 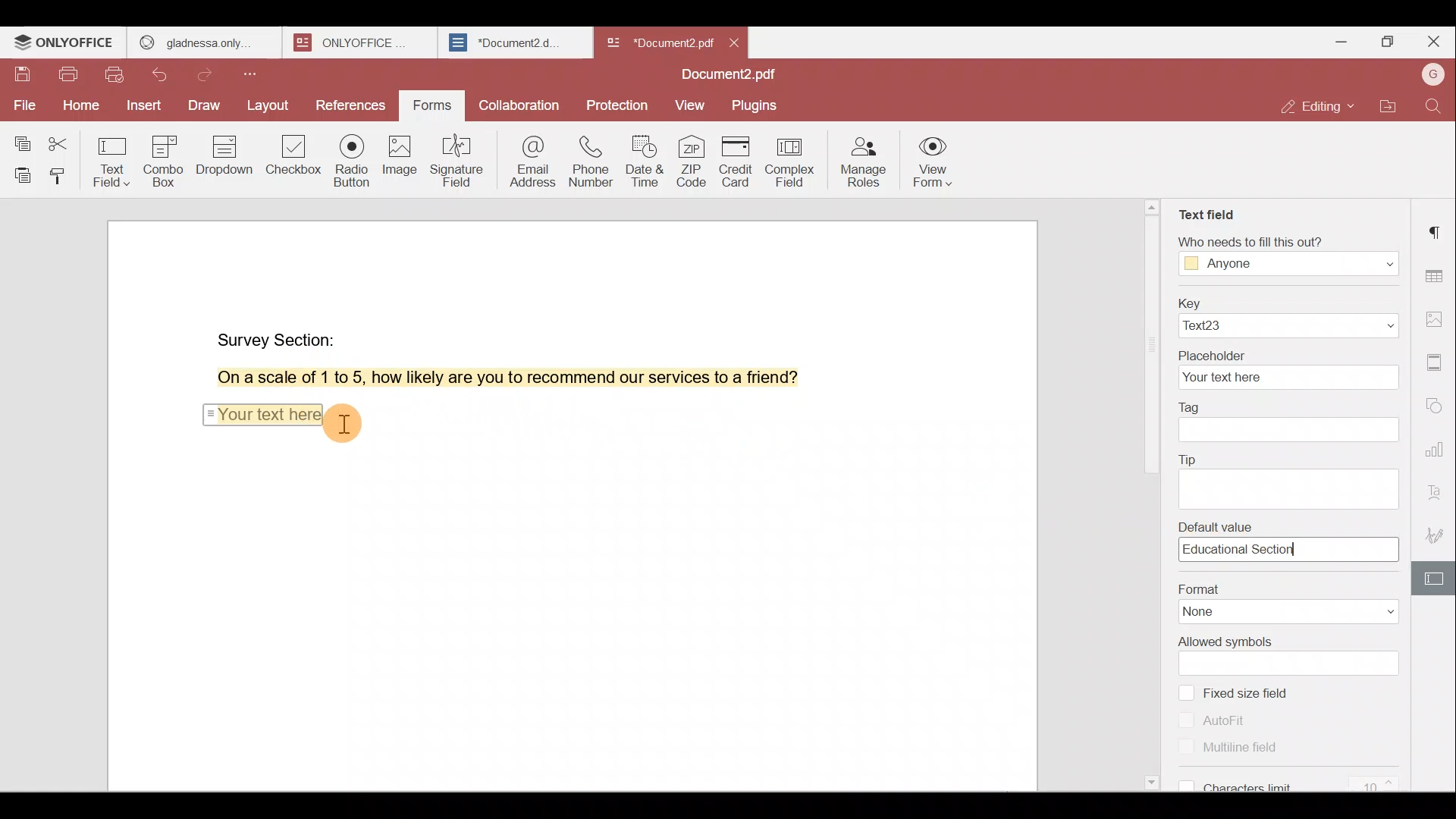 I want to click on Find, so click(x=1436, y=106).